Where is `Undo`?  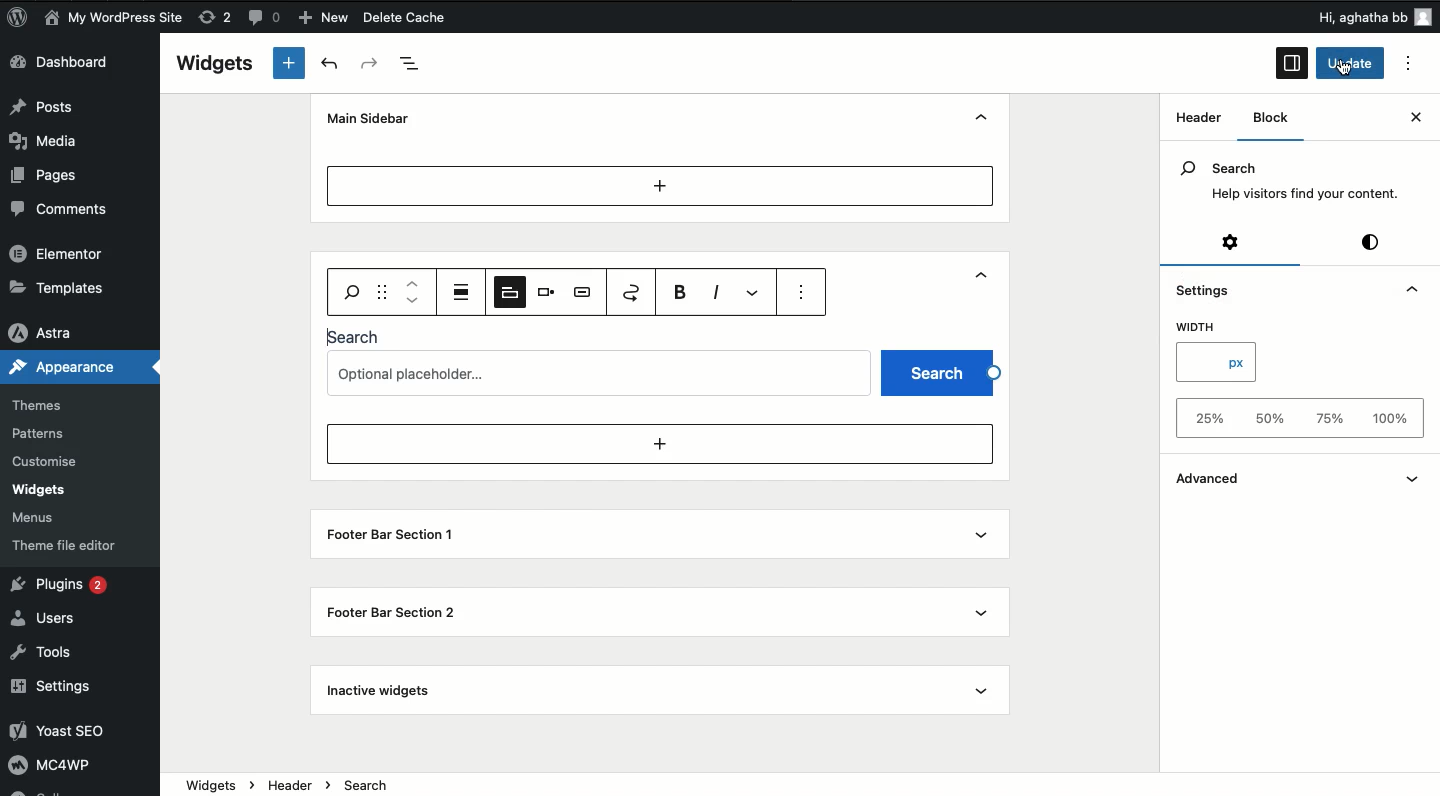
Undo is located at coordinates (329, 64).